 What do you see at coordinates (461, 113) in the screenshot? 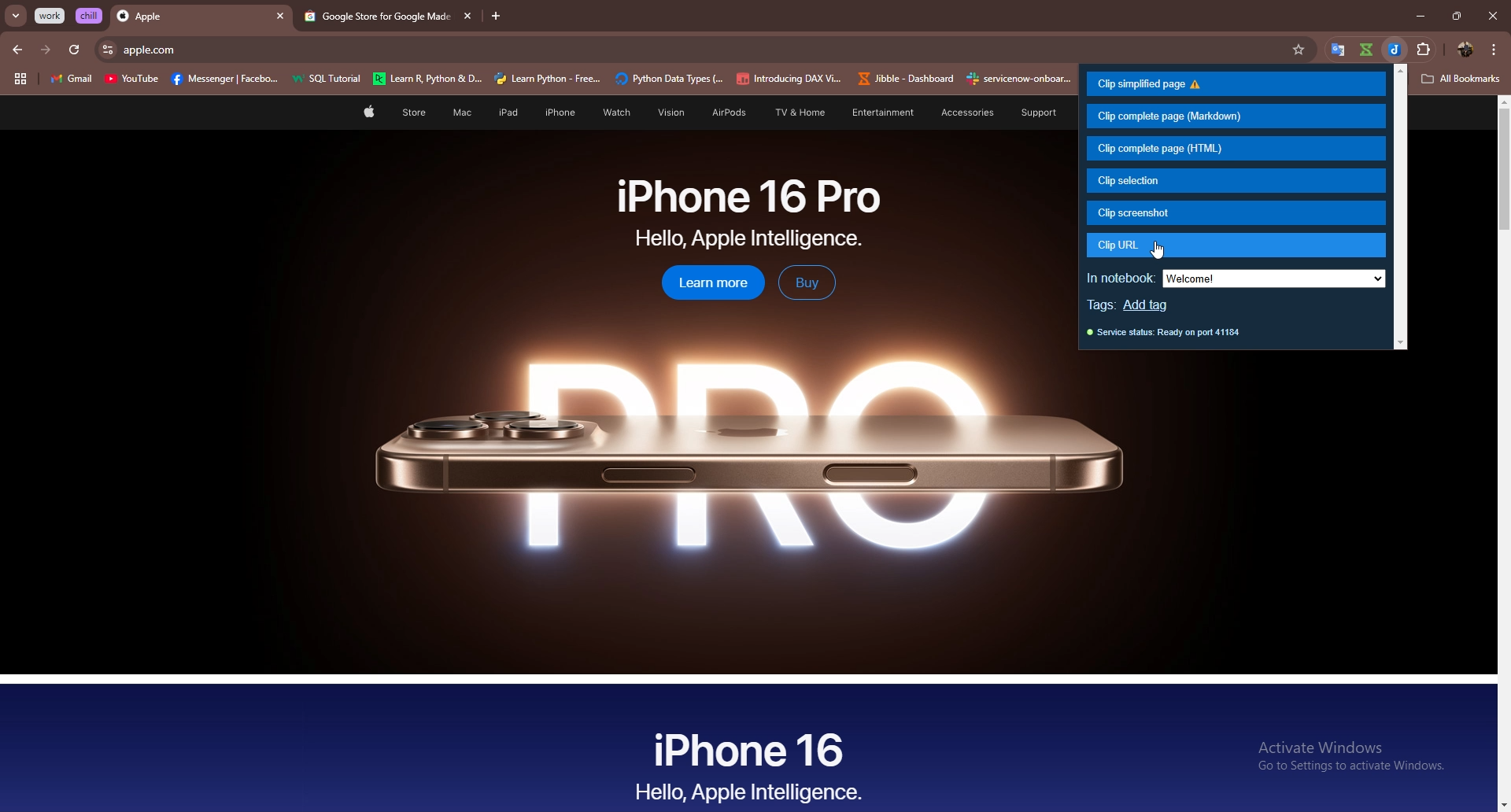
I see `Mac` at bounding box center [461, 113].